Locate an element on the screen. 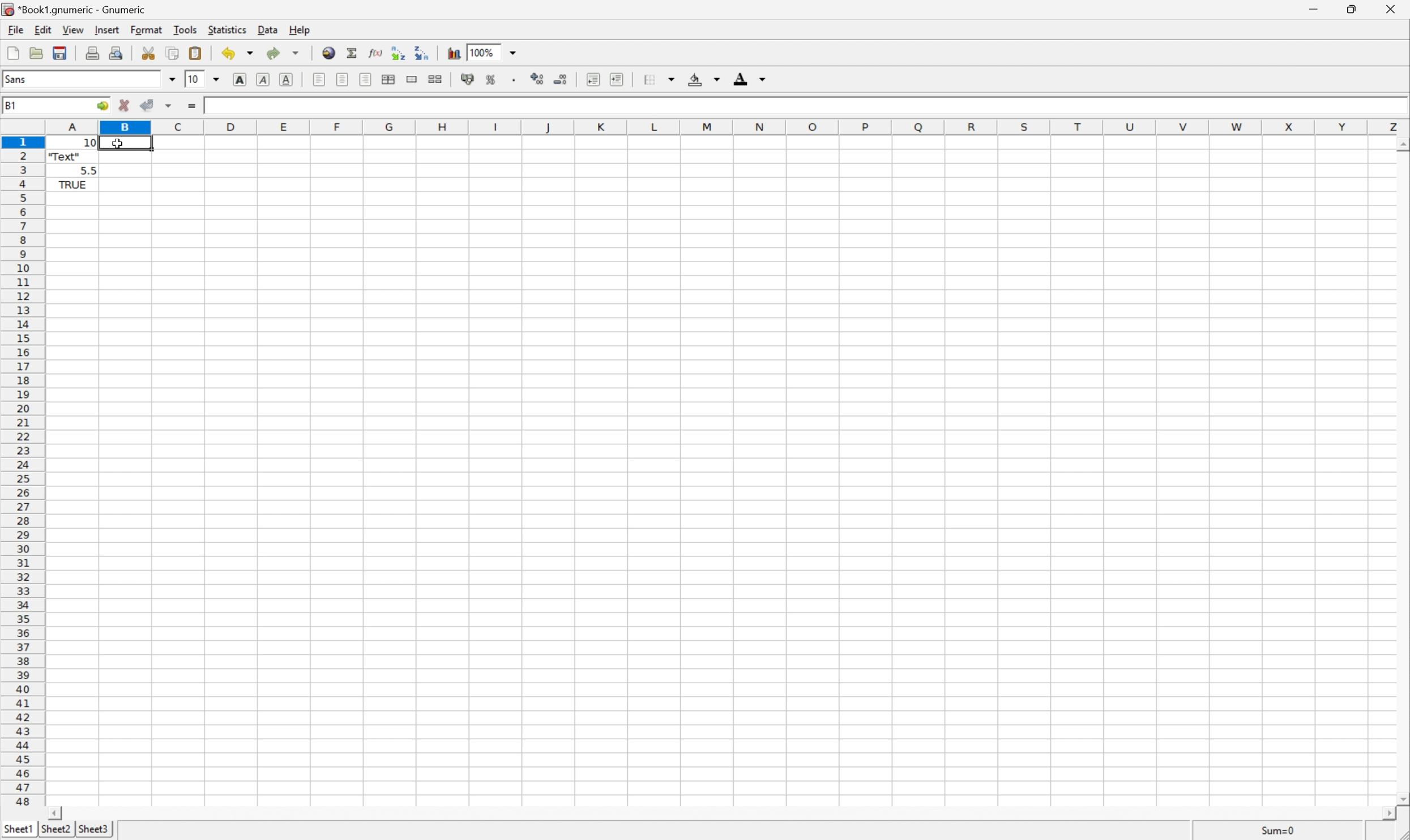  Bold is located at coordinates (241, 79).